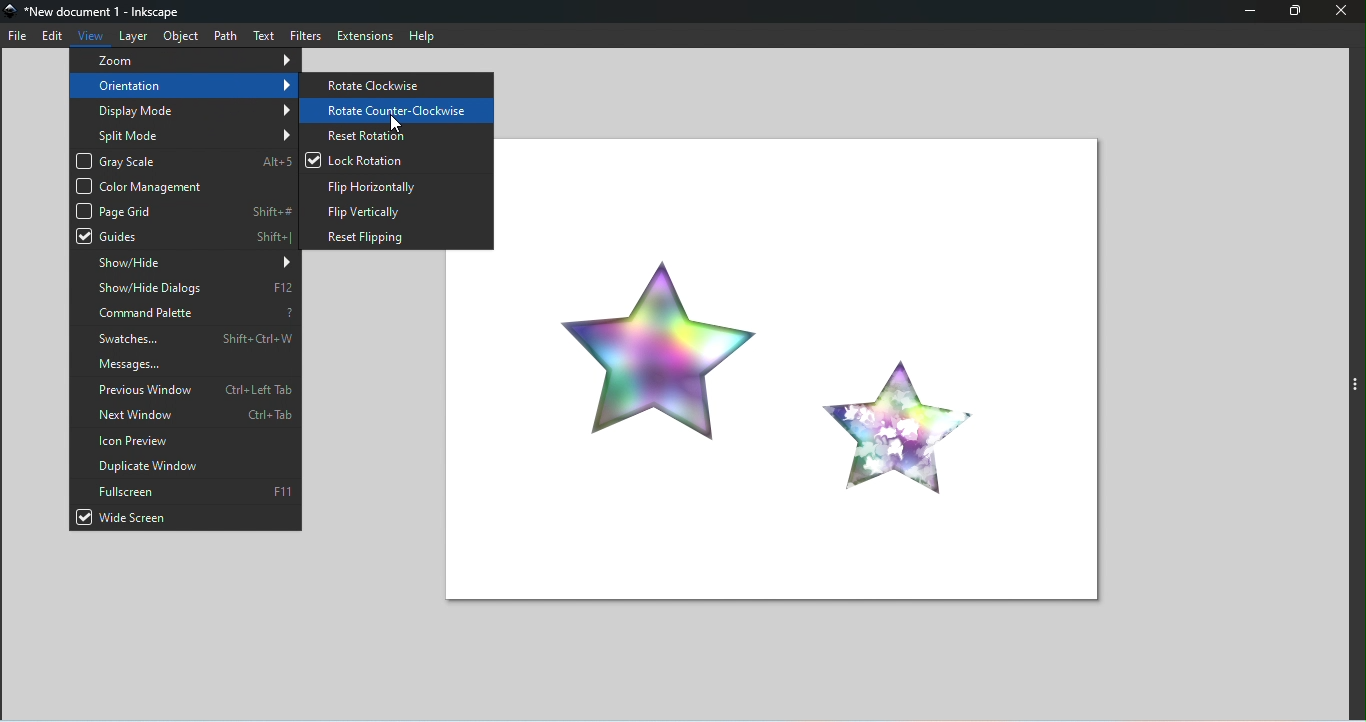  Describe the element at coordinates (393, 209) in the screenshot. I see `Flip horizontally` at that location.